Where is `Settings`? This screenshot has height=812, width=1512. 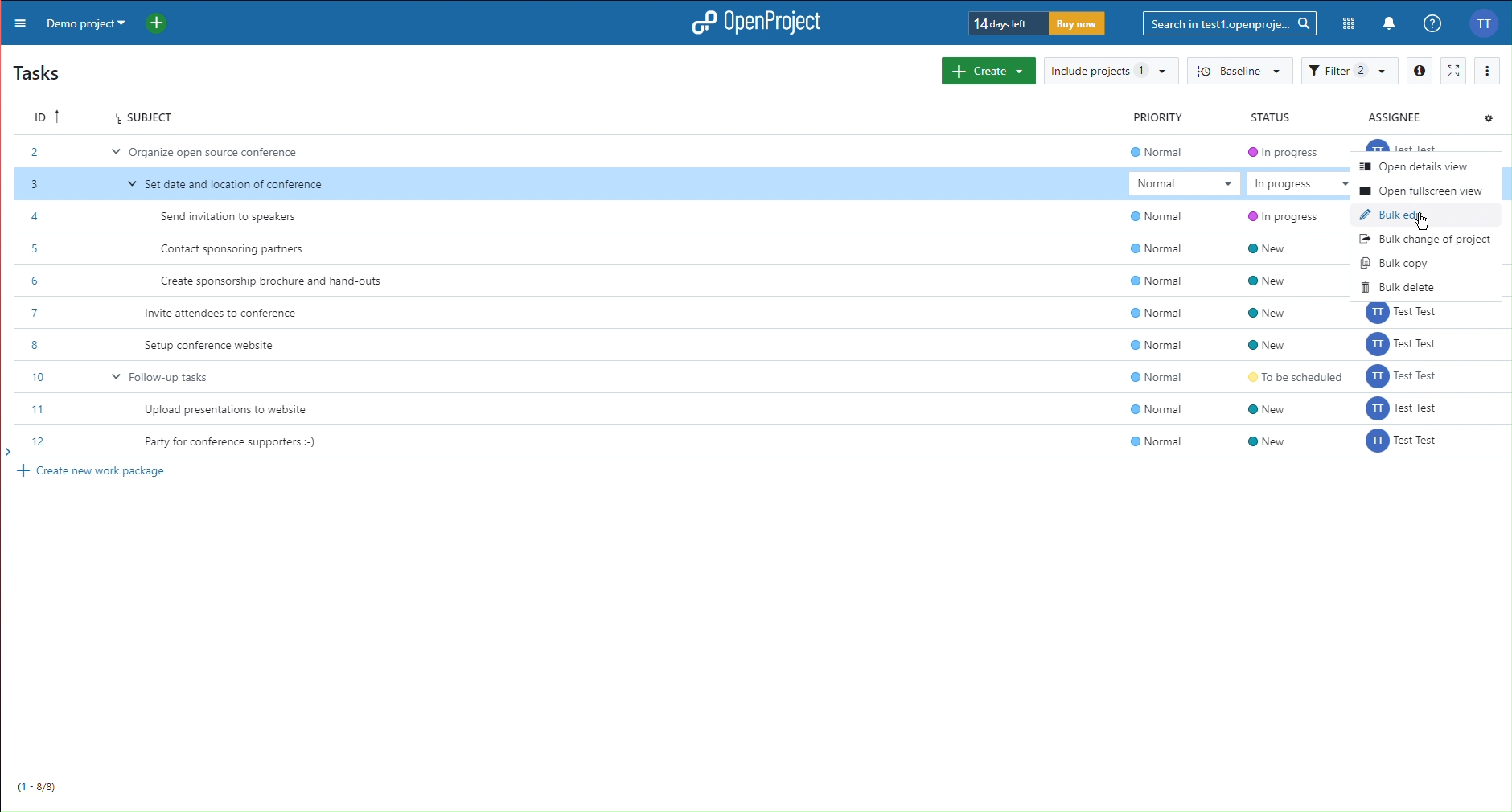
Settings is located at coordinates (1488, 116).